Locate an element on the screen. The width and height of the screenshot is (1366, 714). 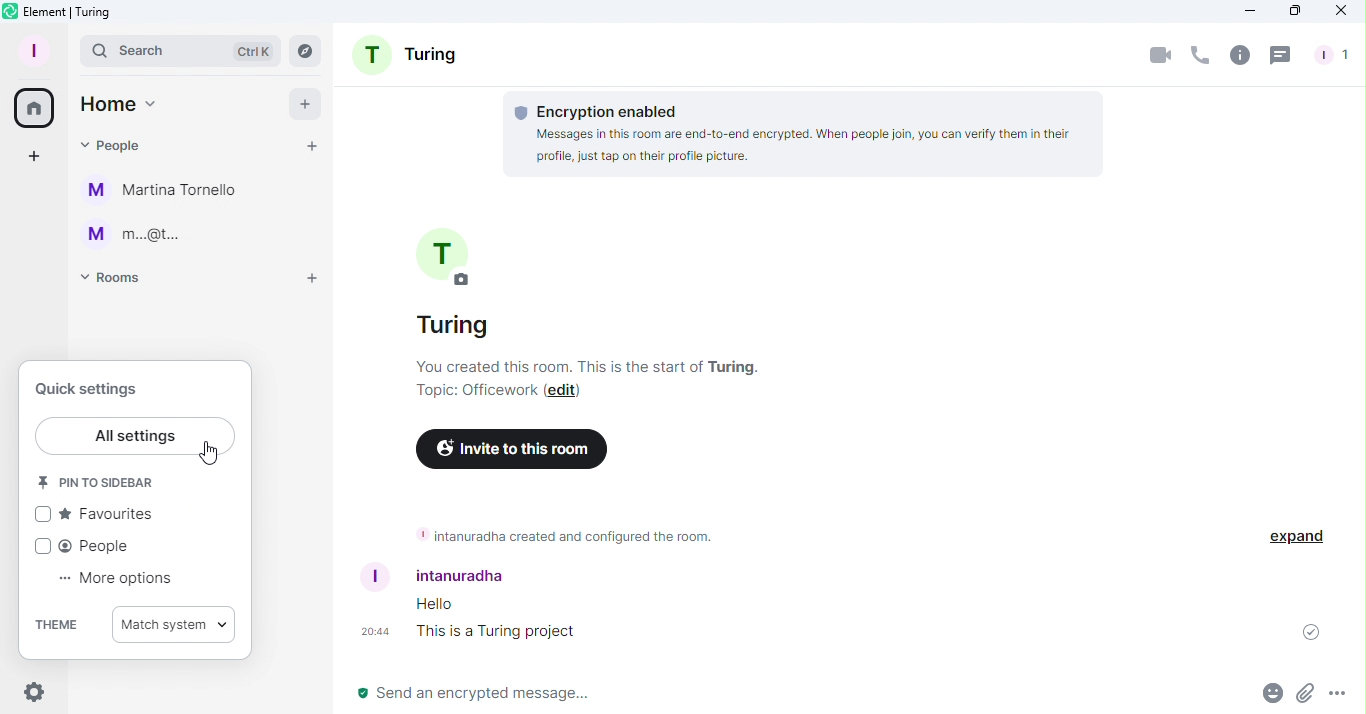
Emoji is located at coordinates (1270, 692).